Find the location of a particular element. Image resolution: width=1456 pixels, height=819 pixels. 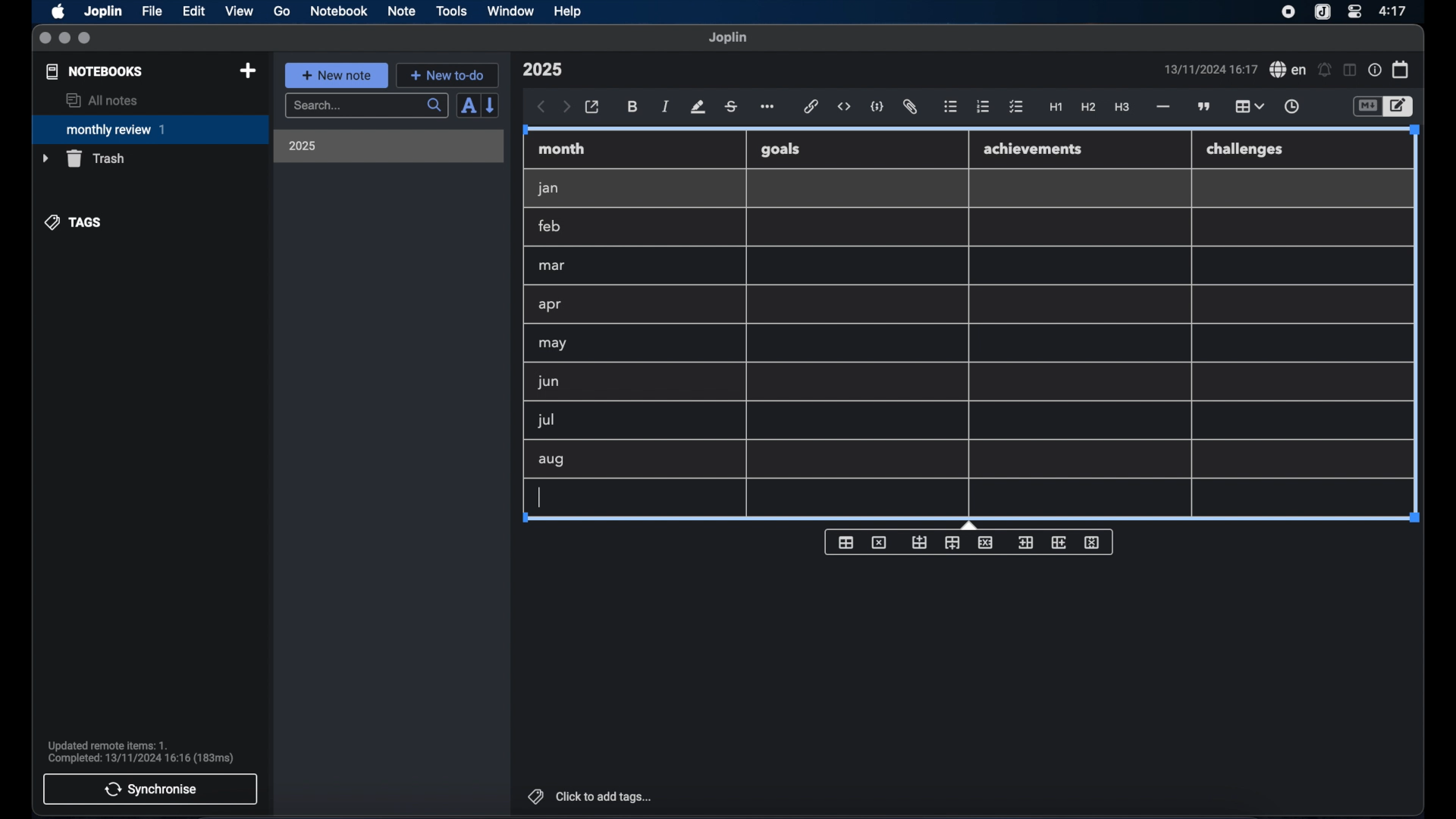

edit is located at coordinates (195, 11).